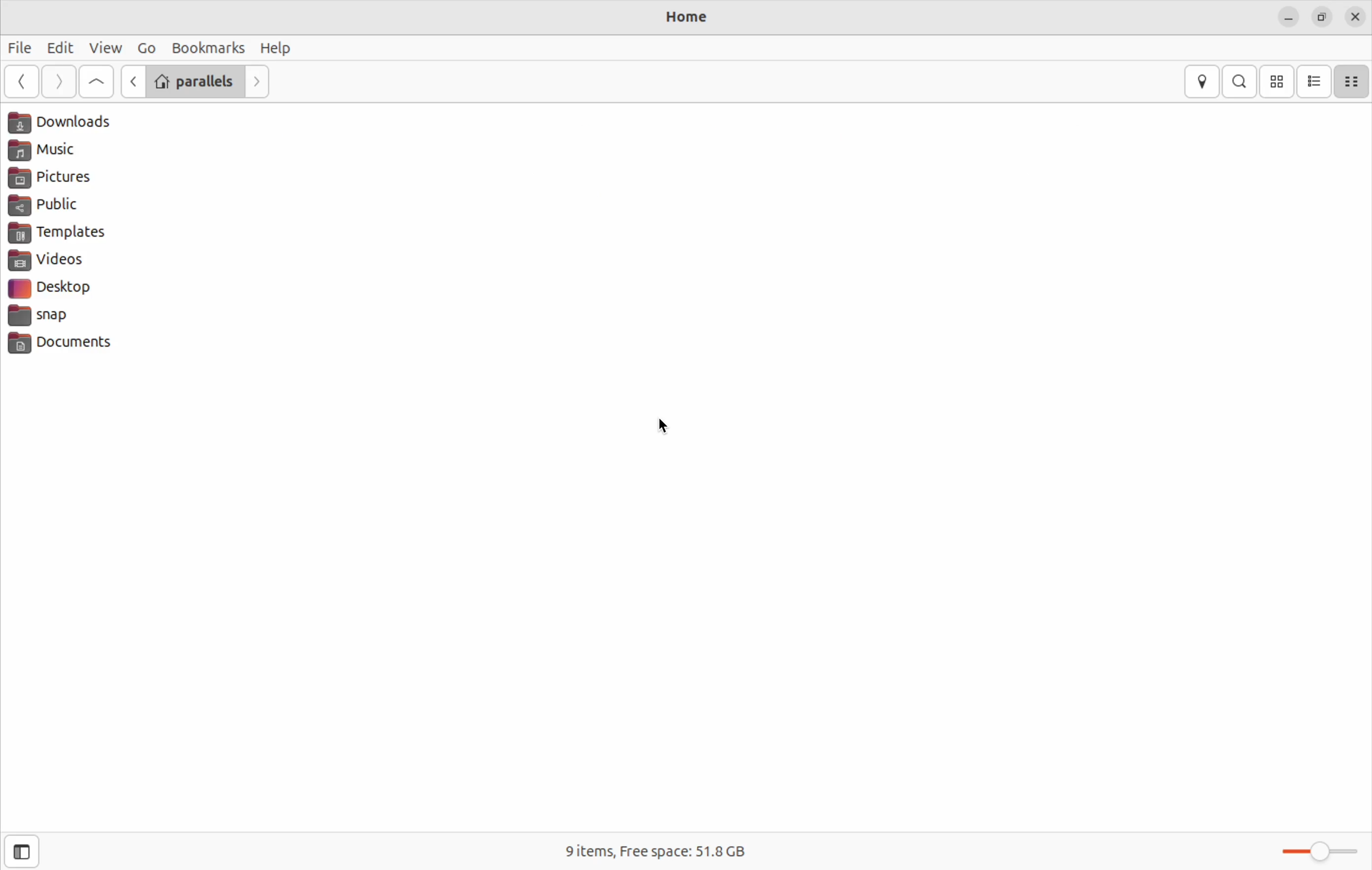 The height and width of the screenshot is (870, 1372). I want to click on free space, so click(652, 848).